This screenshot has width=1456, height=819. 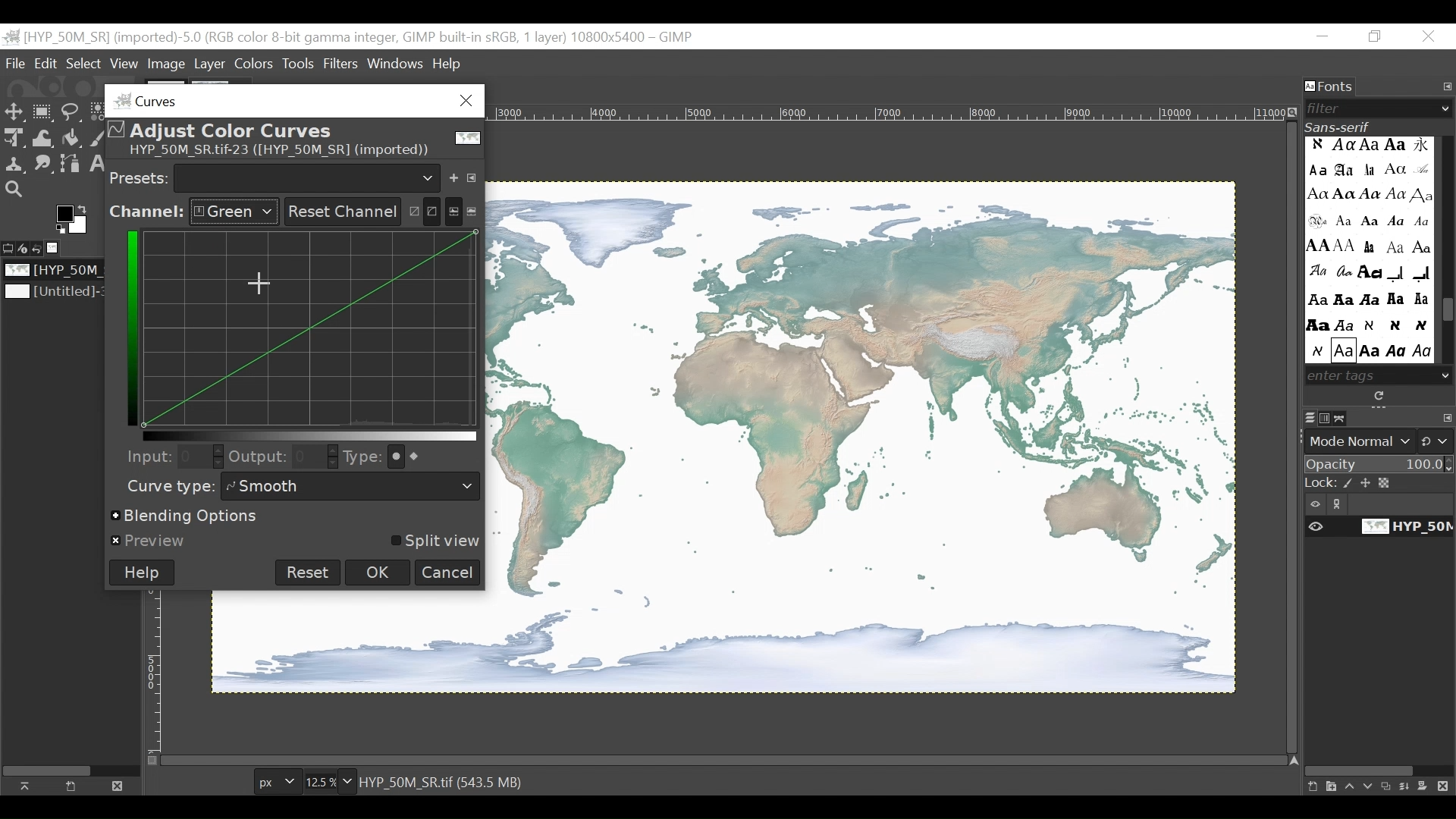 I want to click on Input, so click(x=145, y=456).